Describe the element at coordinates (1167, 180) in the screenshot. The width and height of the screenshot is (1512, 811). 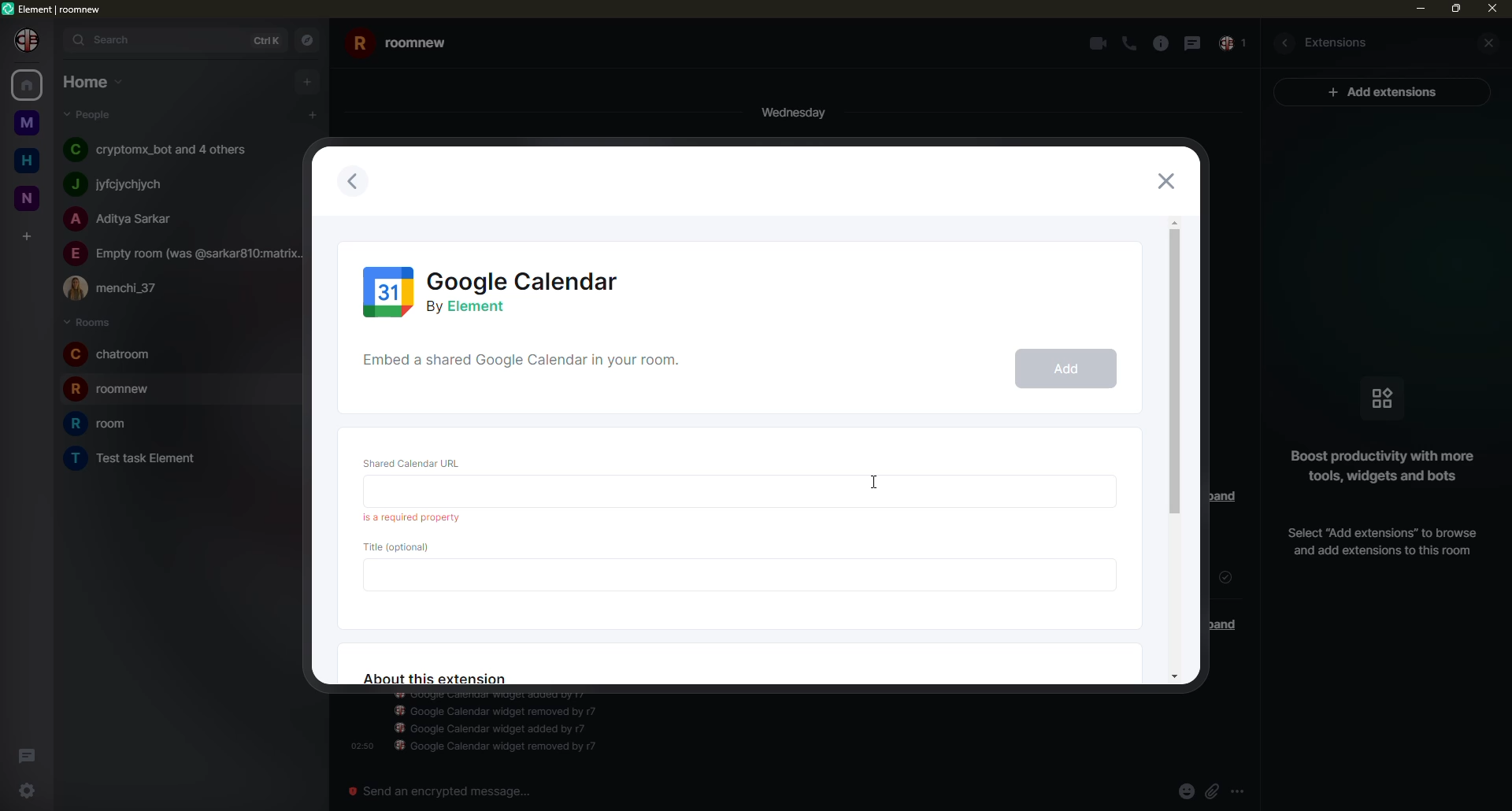
I see `close` at that location.